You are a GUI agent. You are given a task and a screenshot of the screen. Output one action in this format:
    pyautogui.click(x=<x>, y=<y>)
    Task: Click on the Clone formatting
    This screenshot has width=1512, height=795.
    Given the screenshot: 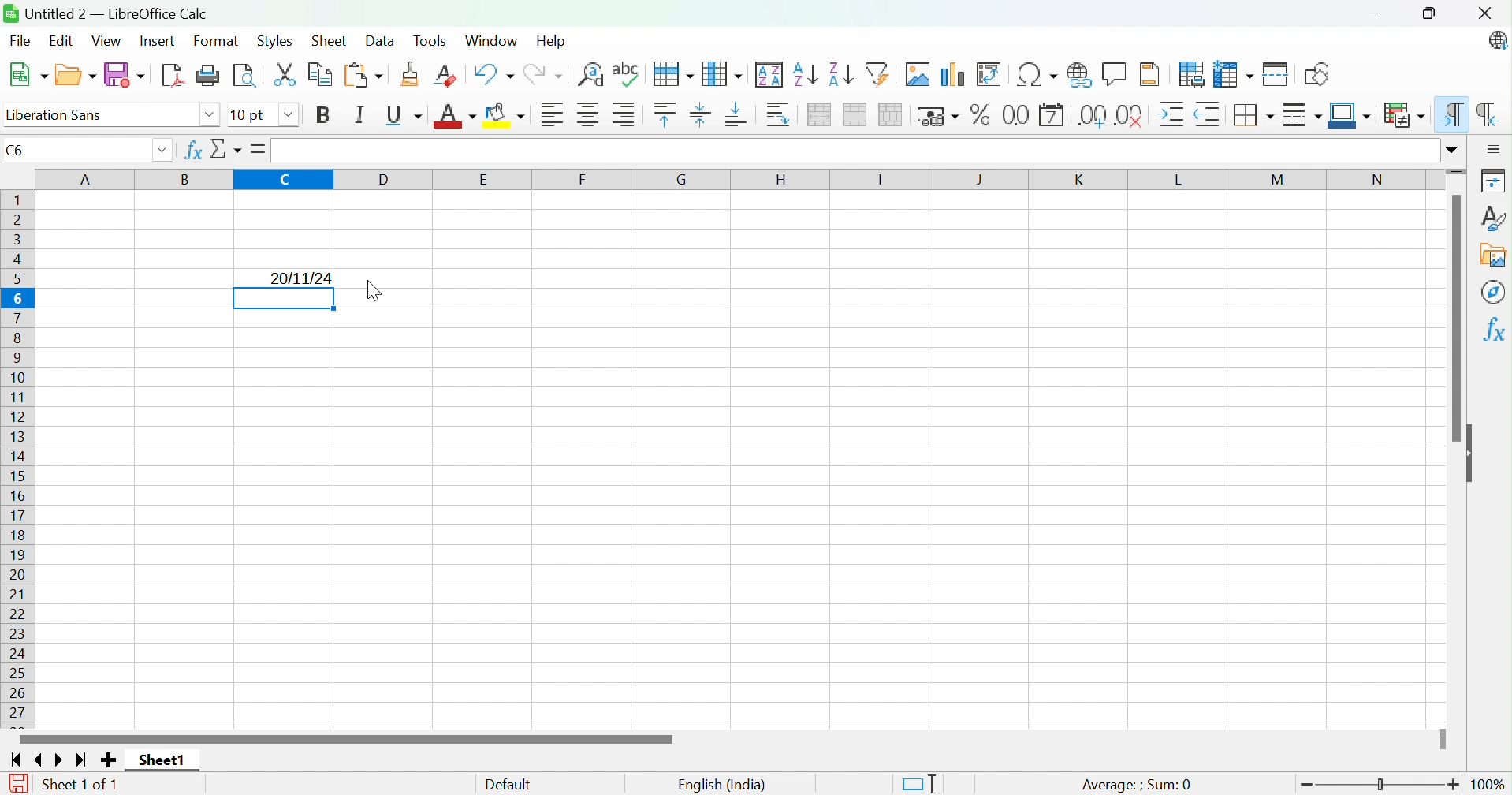 What is the action you would take?
    pyautogui.click(x=408, y=74)
    